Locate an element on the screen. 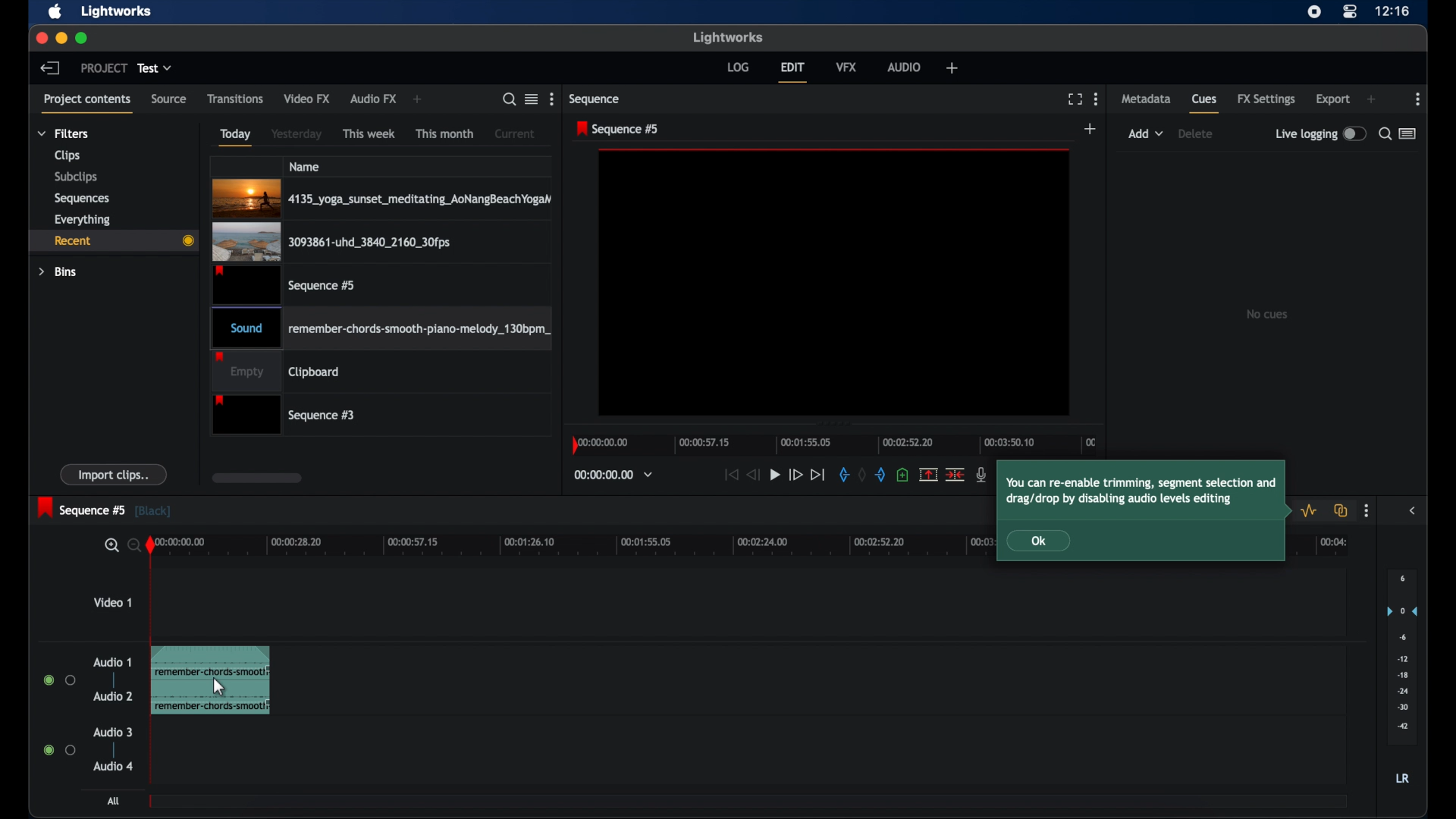 This screenshot has width=1456, height=819. in mark is located at coordinates (842, 475).